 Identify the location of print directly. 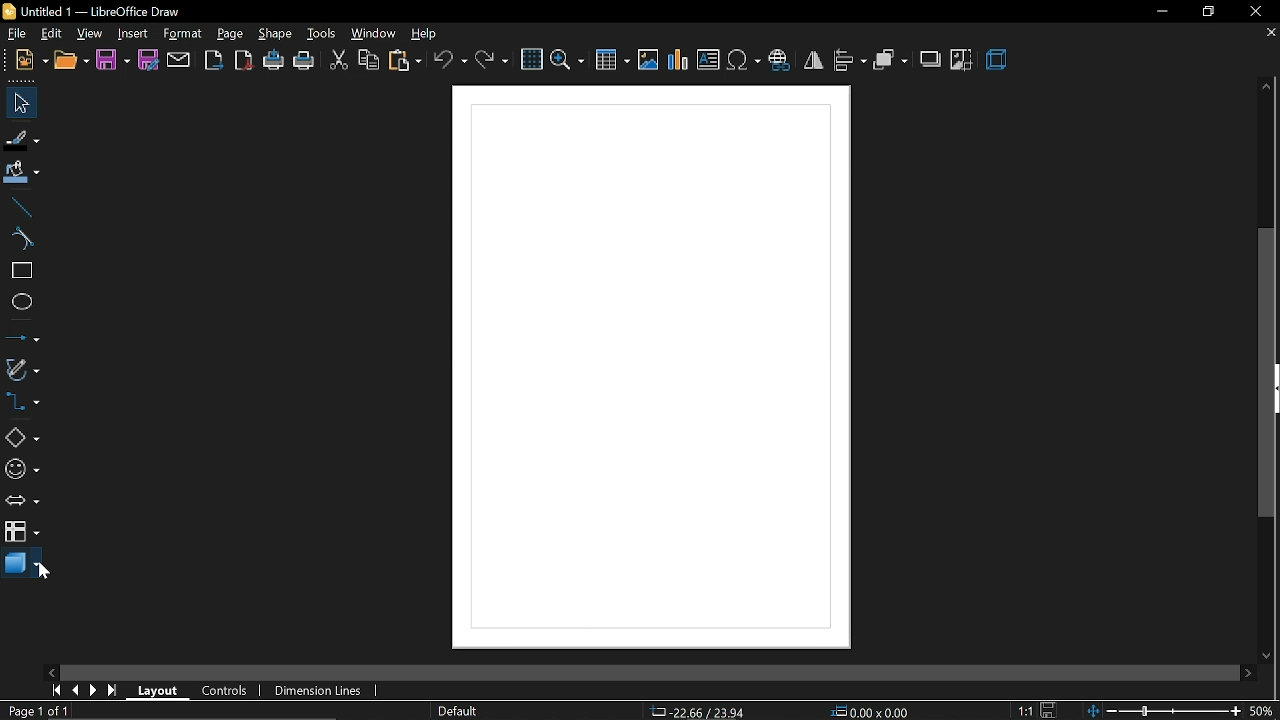
(274, 62).